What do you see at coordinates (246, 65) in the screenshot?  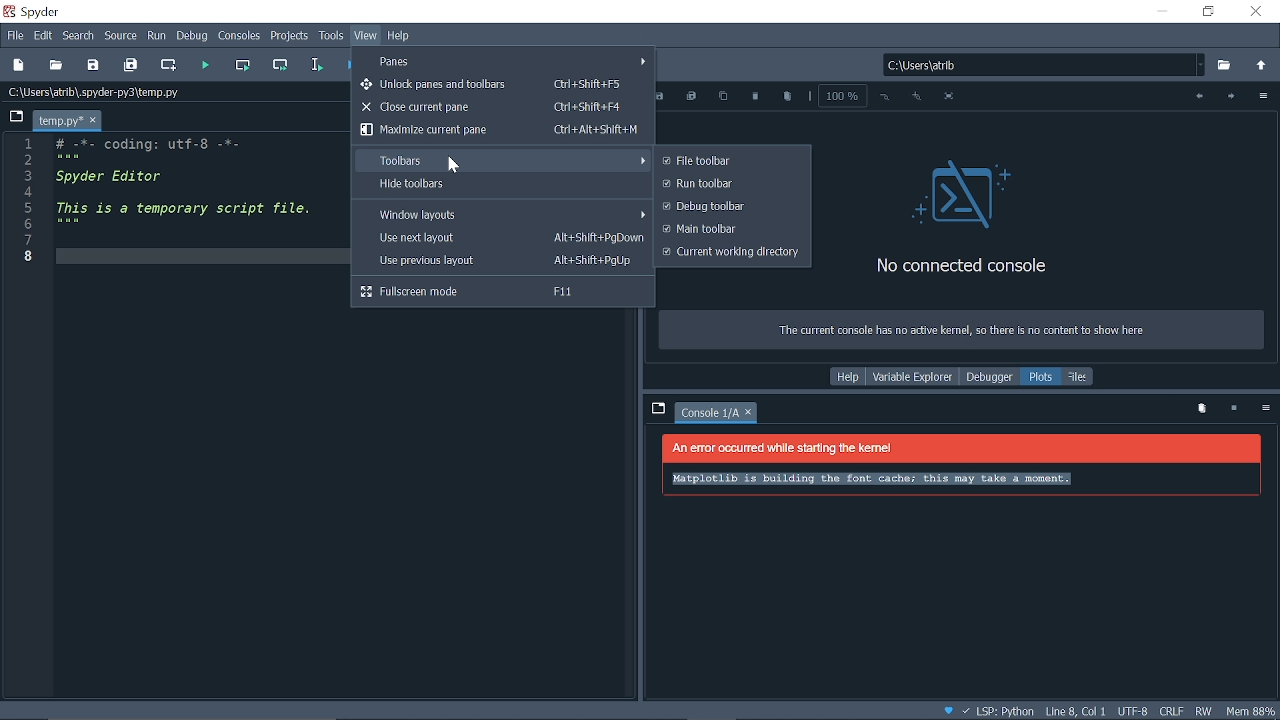 I see `Run current cell` at bounding box center [246, 65].